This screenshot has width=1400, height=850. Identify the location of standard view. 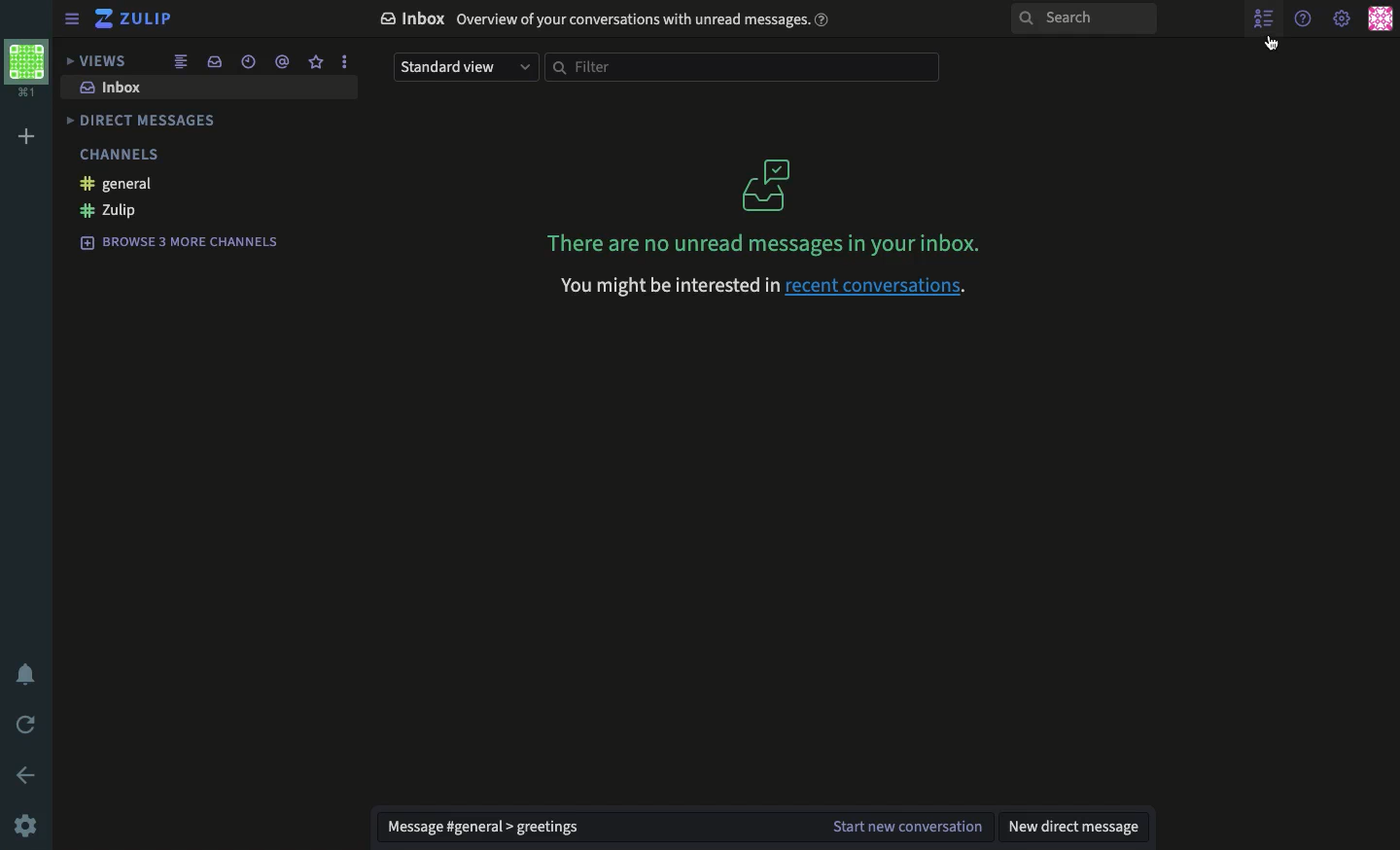
(465, 68).